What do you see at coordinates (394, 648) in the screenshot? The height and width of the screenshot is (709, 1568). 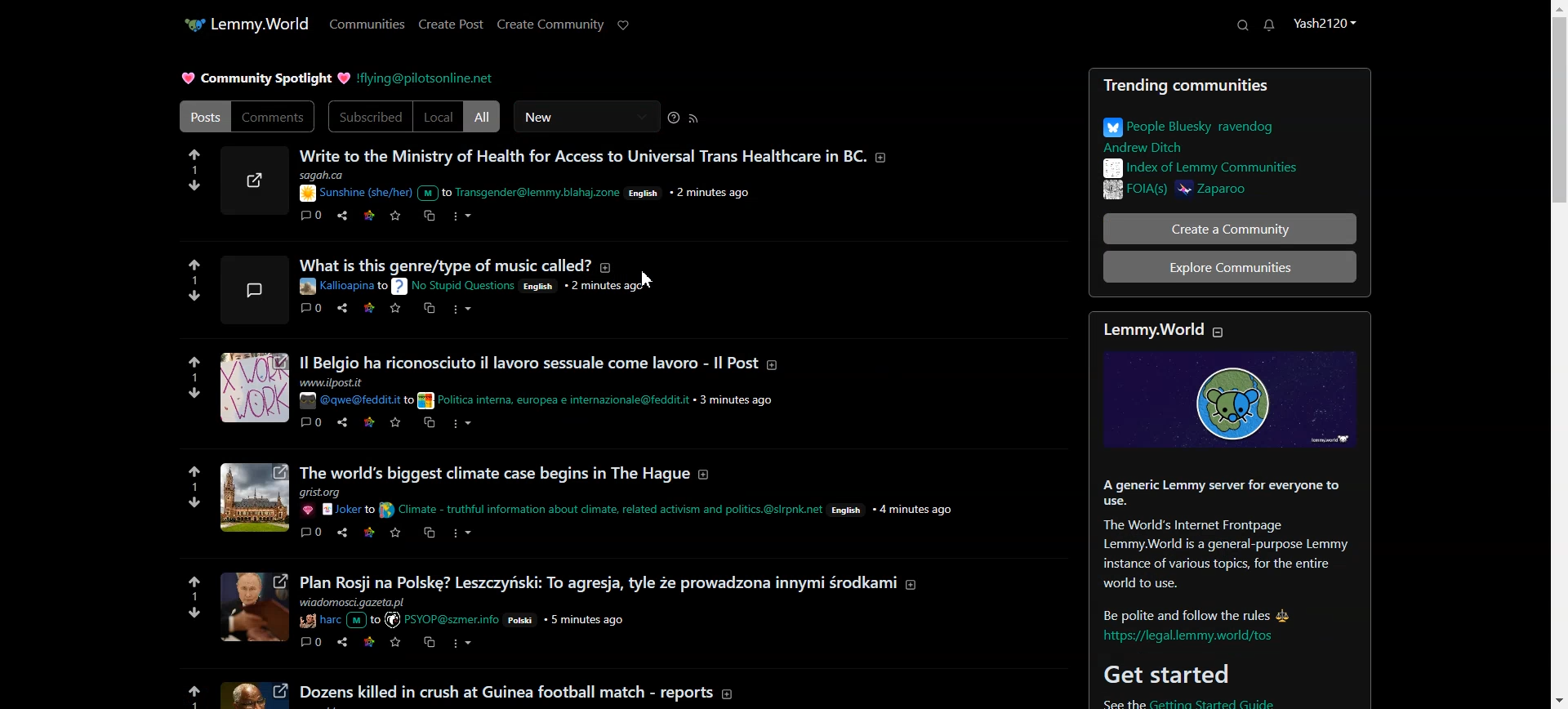 I see `save` at bounding box center [394, 648].